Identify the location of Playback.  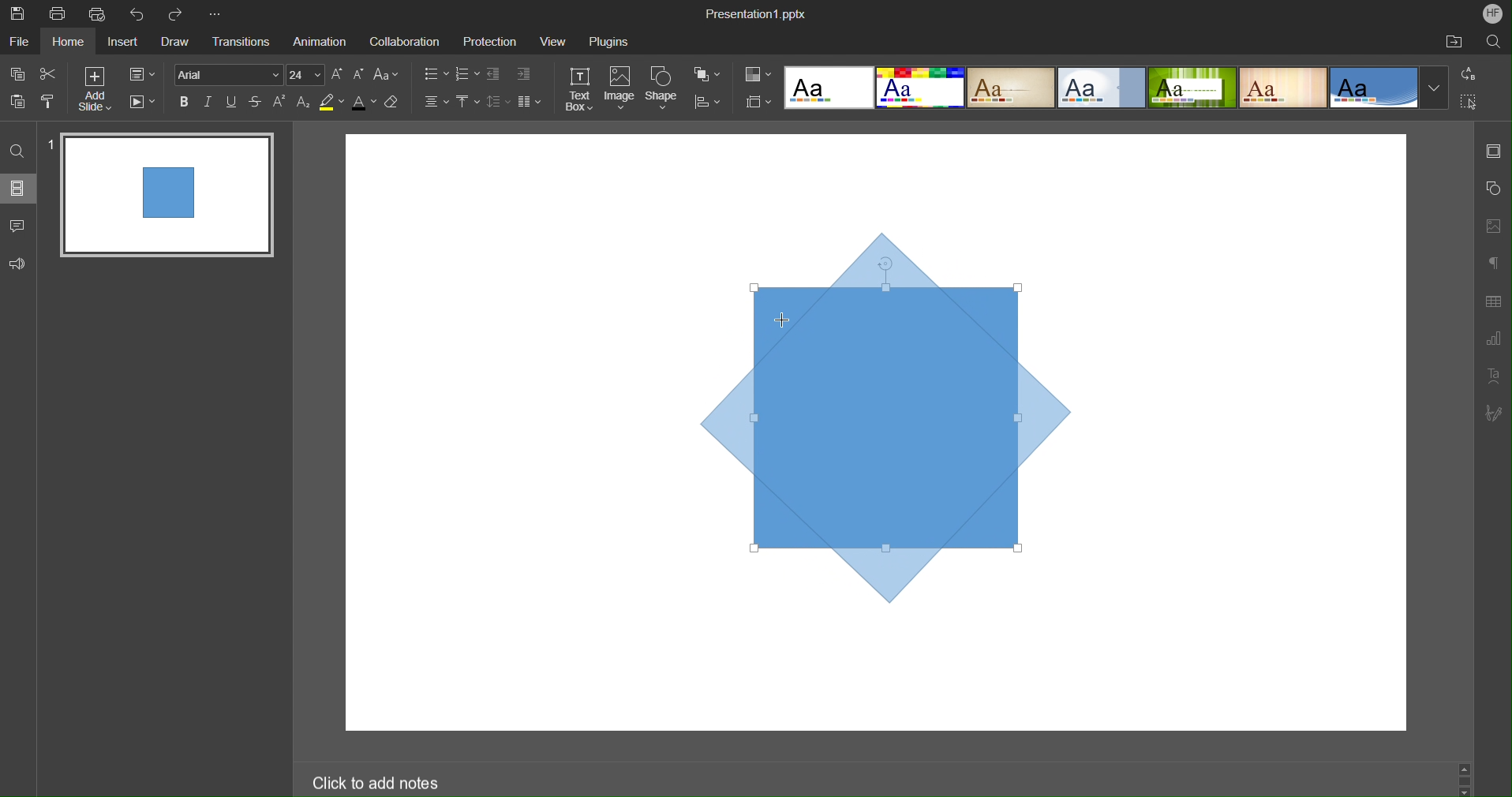
(143, 103).